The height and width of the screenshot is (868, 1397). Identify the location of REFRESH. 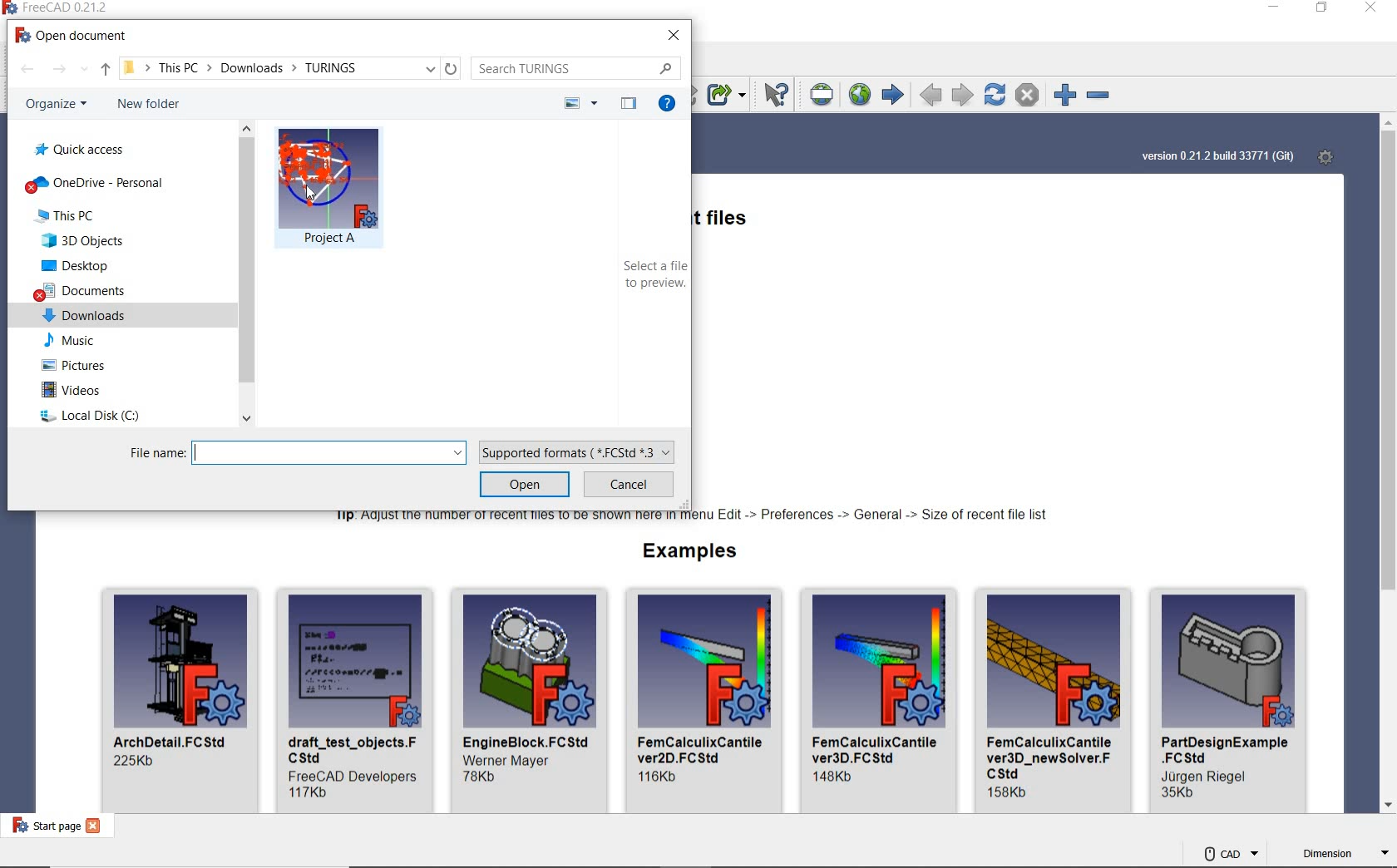
(452, 67).